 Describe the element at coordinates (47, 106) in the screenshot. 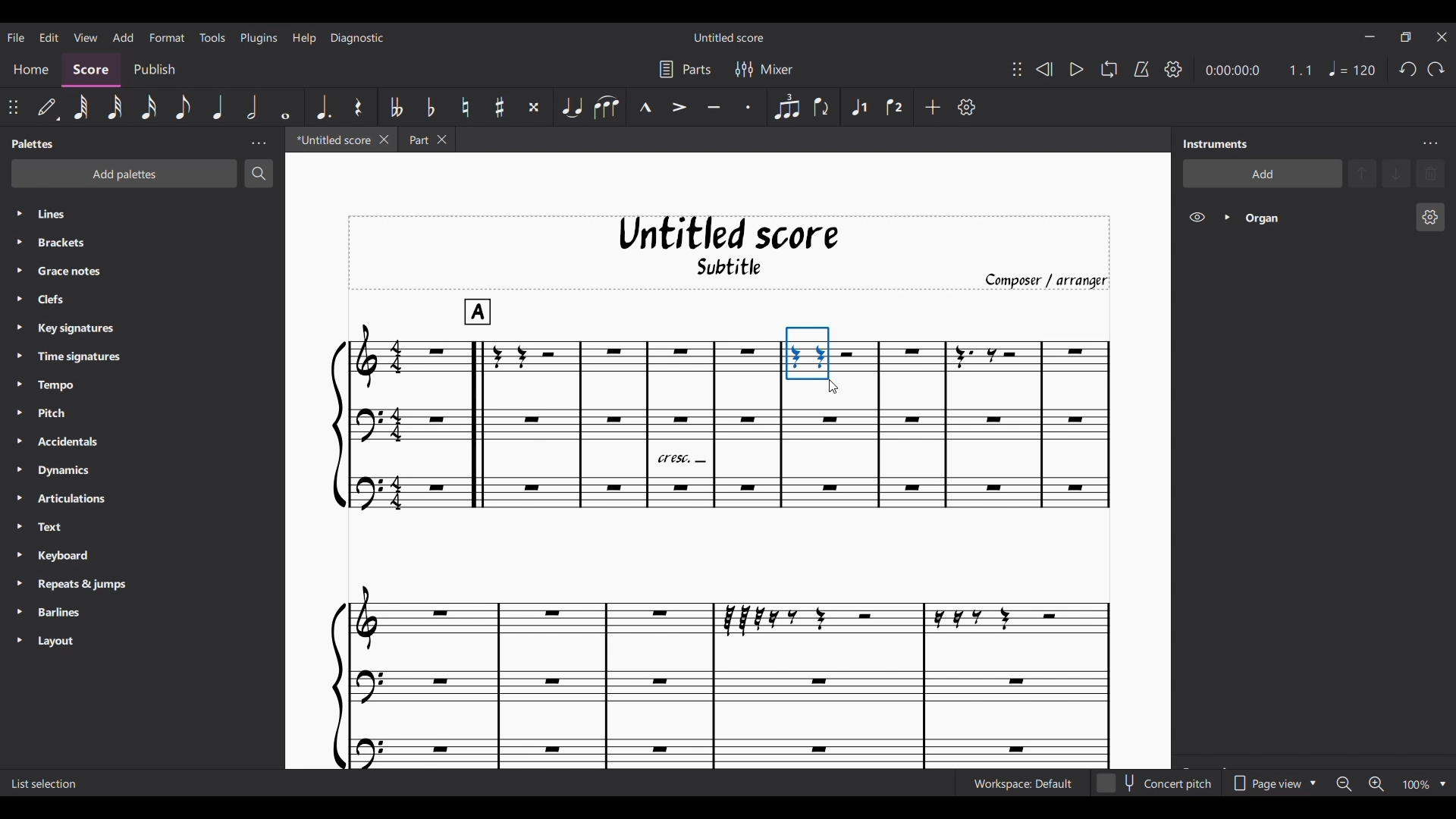

I see `Default` at that location.